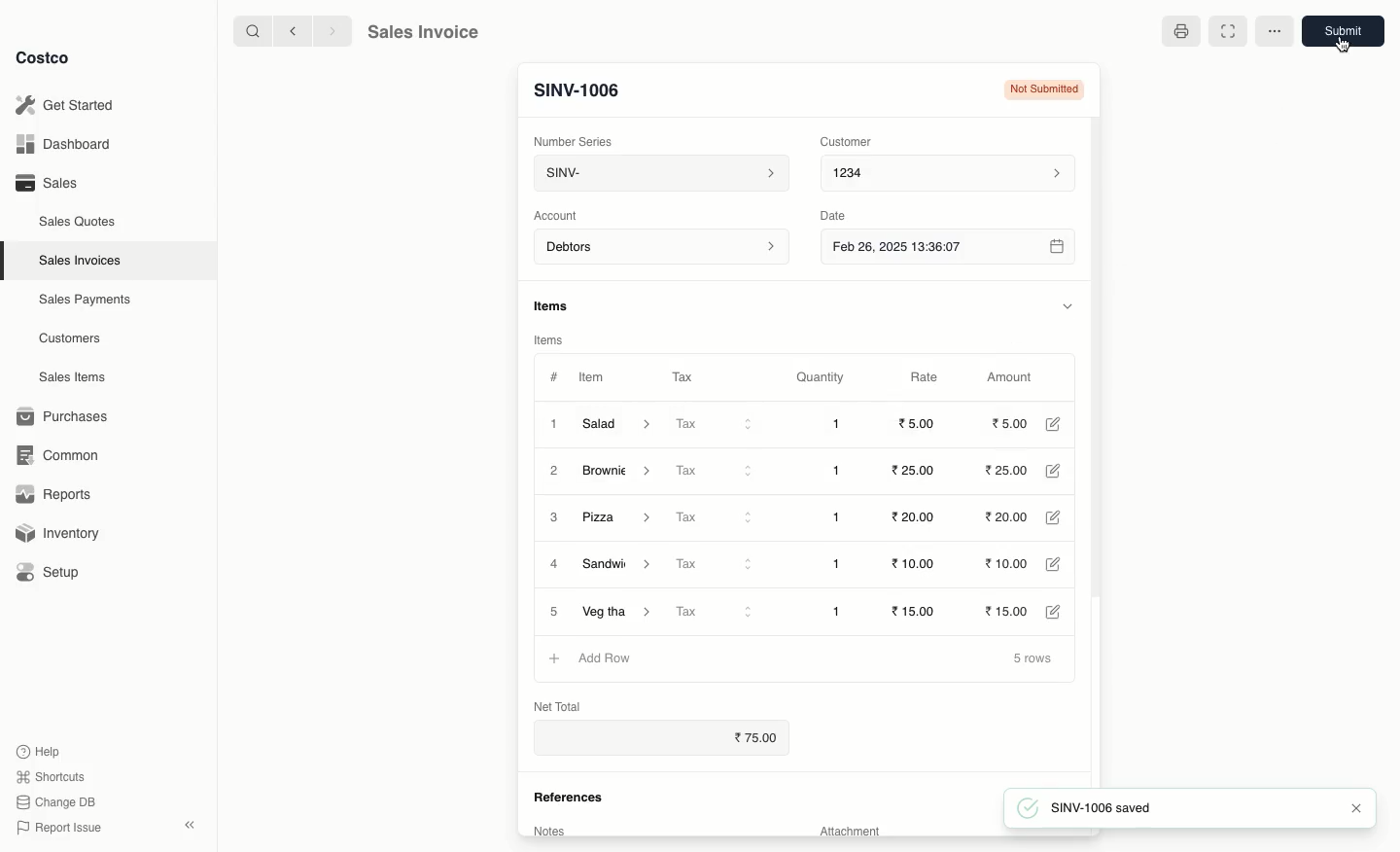 The height and width of the screenshot is (852, 1400). Describe the element at coordinates (1057, 518) in the screenshot. I see `Edit` at that location.